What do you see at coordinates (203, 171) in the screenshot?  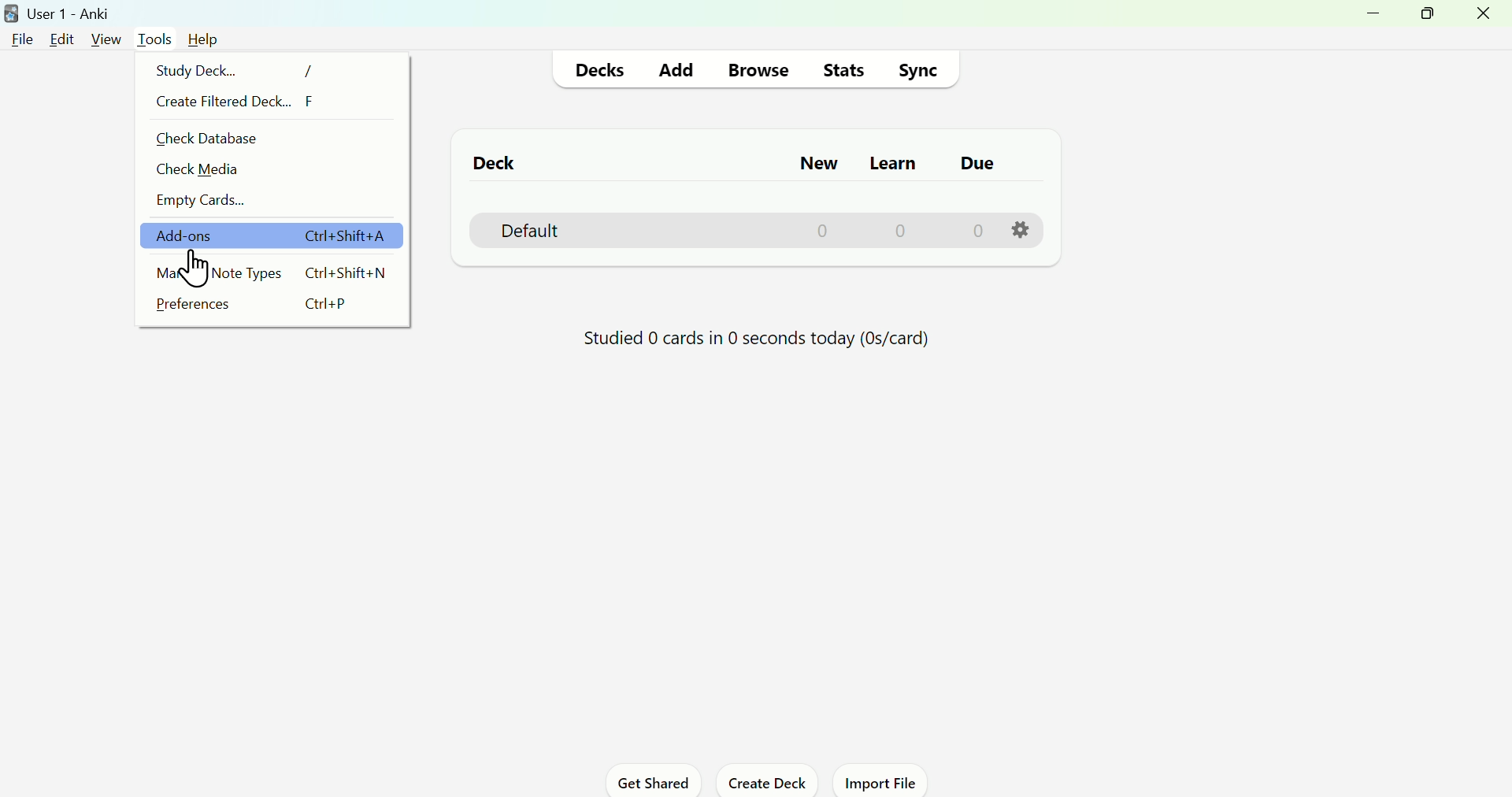 I see `Check Media` at bounding box center [203, 171].